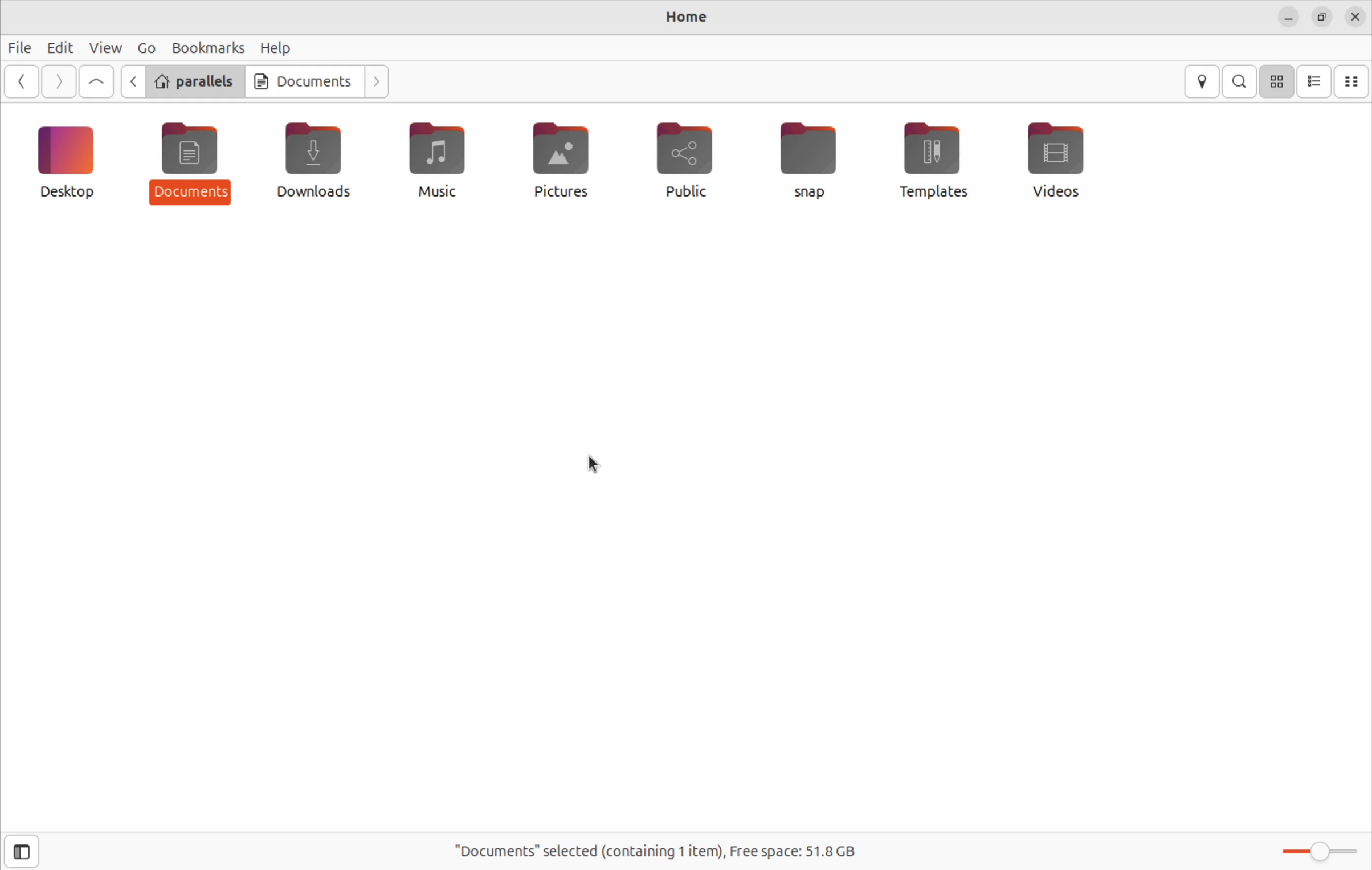  What do you see at coordinates (1288, 15) in the screenshot?
I see `close` at bounding box center [1288, 15].